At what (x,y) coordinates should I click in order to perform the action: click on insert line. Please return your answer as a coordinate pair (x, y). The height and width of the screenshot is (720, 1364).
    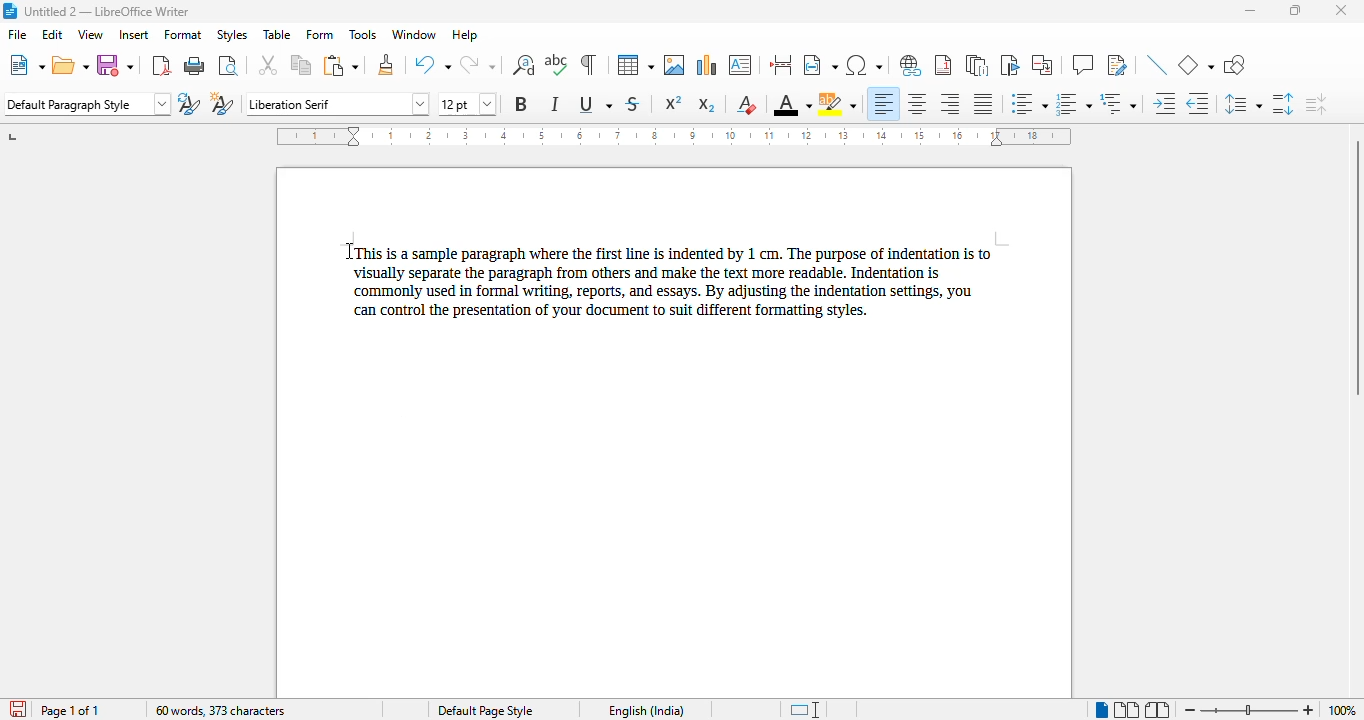
    Looking at the image, I should click on (1157, 65).